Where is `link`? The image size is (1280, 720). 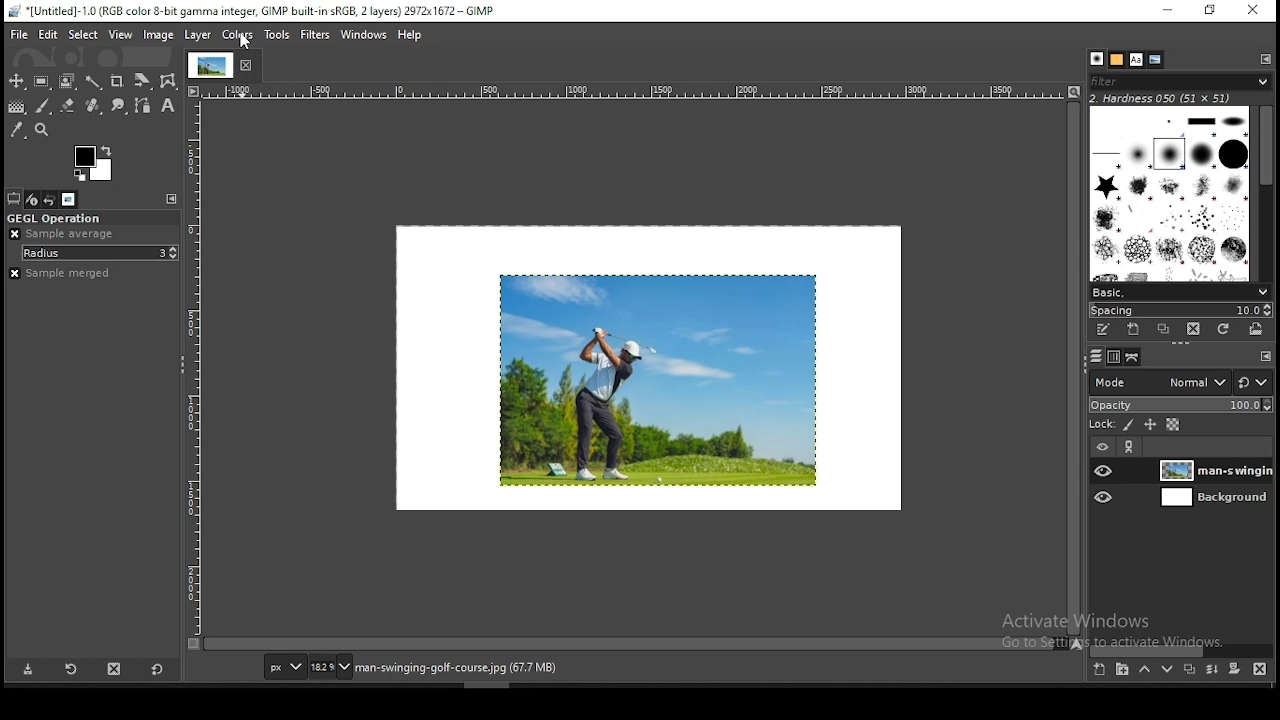 link is located at coordinates (1130, 448).